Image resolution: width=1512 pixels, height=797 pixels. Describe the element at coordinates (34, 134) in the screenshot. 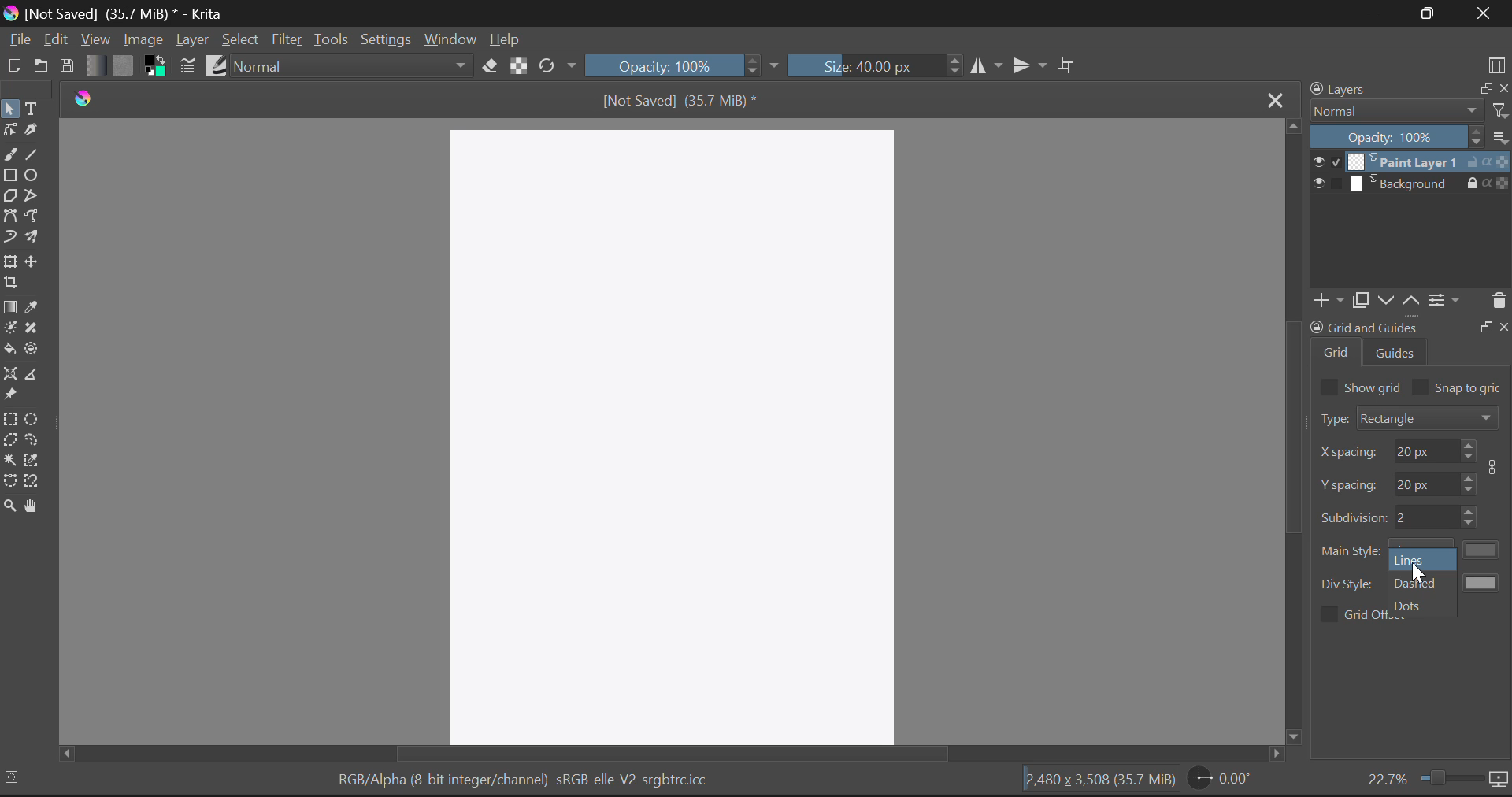

I see `Calligraphic Tool` at that location.